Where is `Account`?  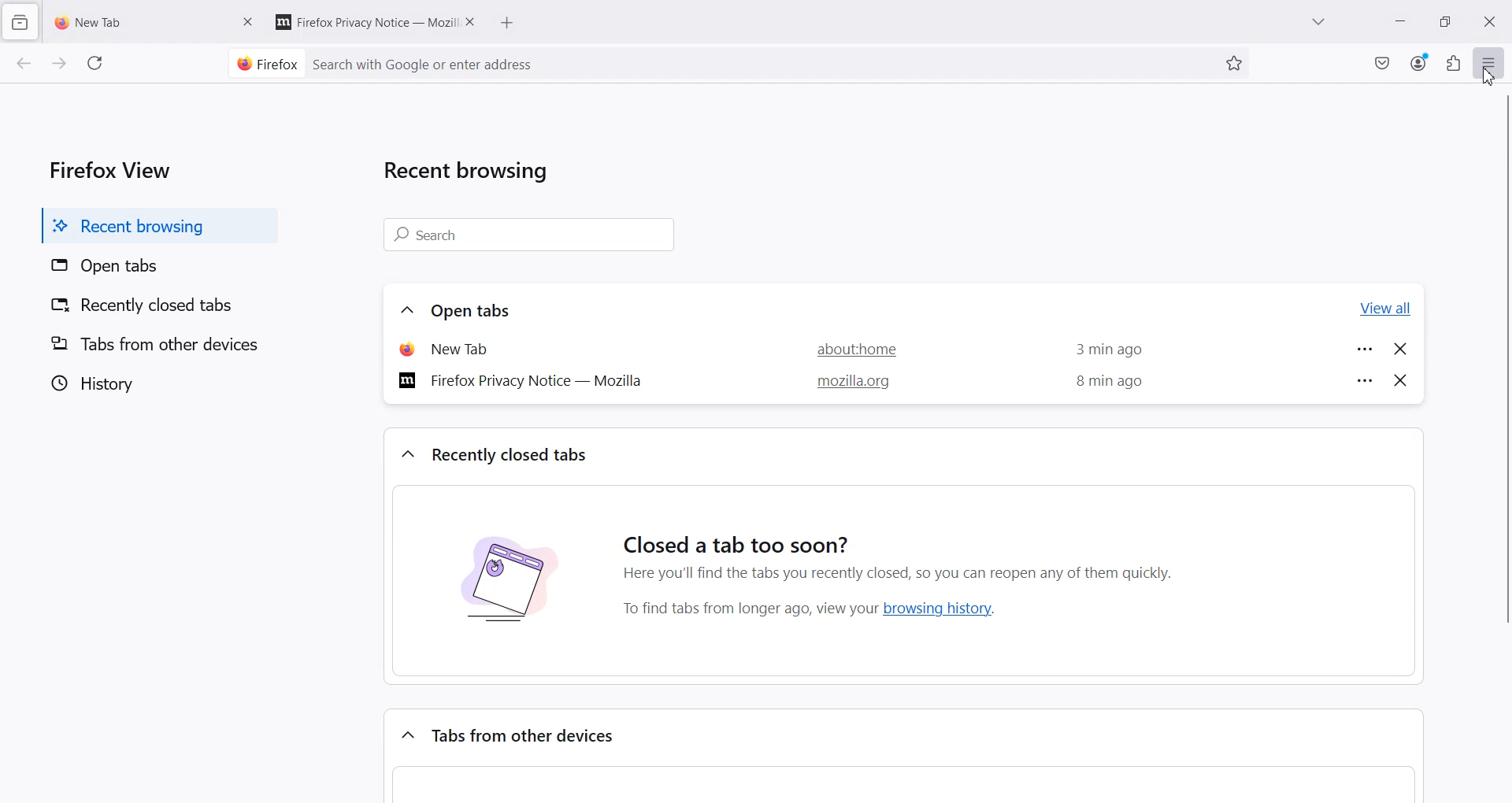
Account is located at coordinates (1420, 61).